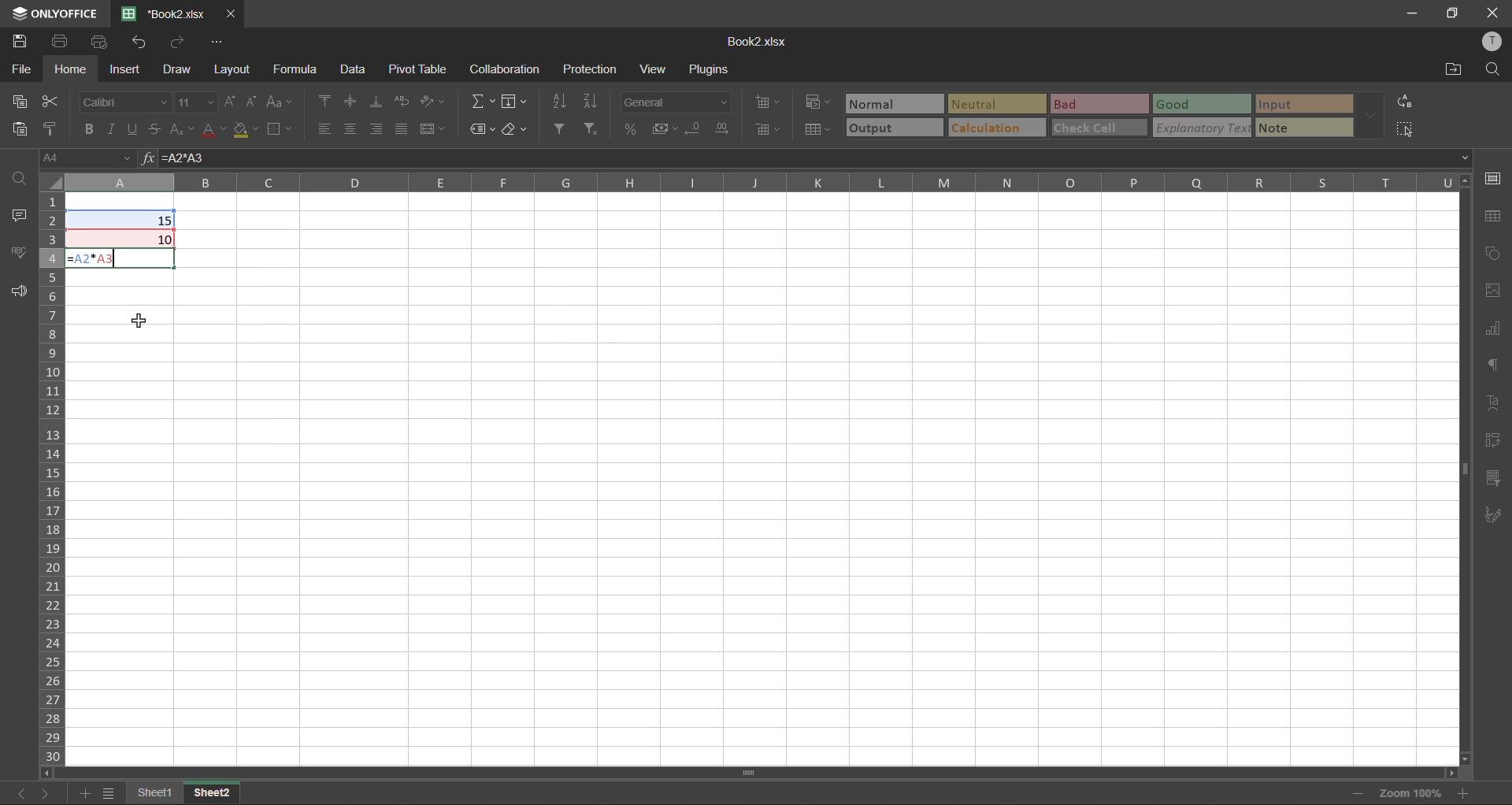  Describe the element at coordinates (513, 102) in the screenshot. I see `fields` at that location.